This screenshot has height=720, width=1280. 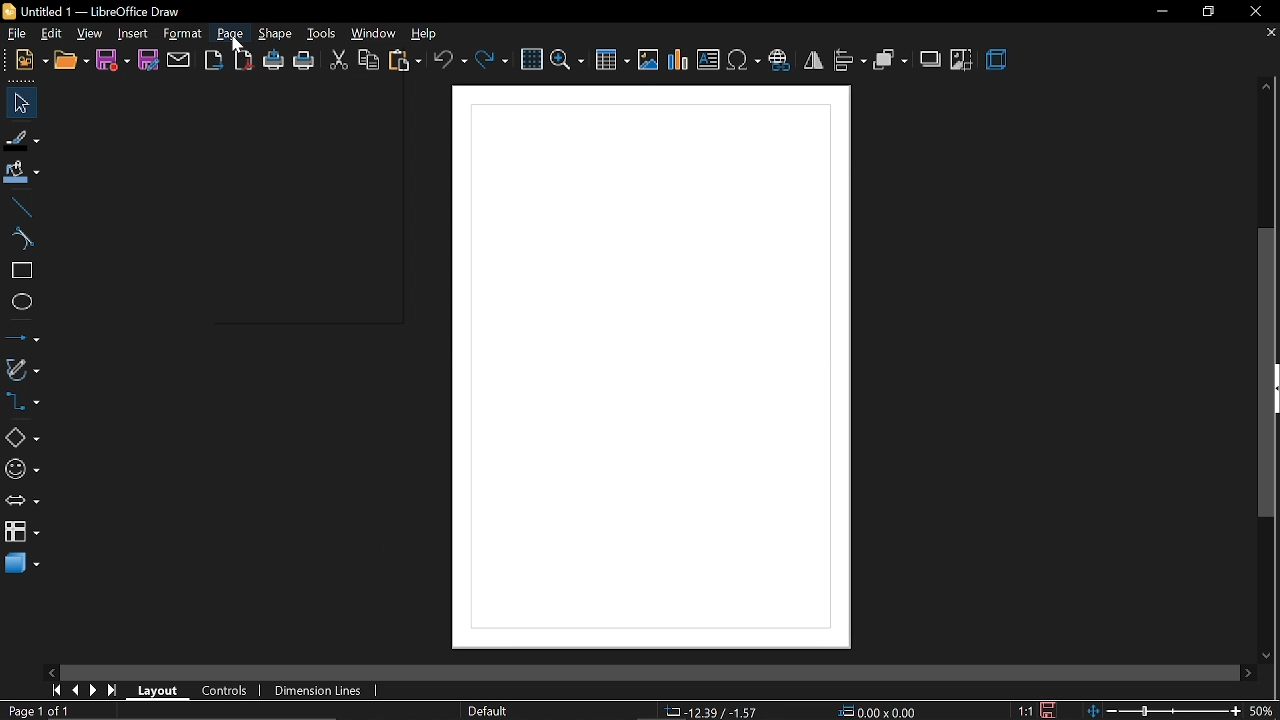 I want to click on save, so click(x=1052, y=709).